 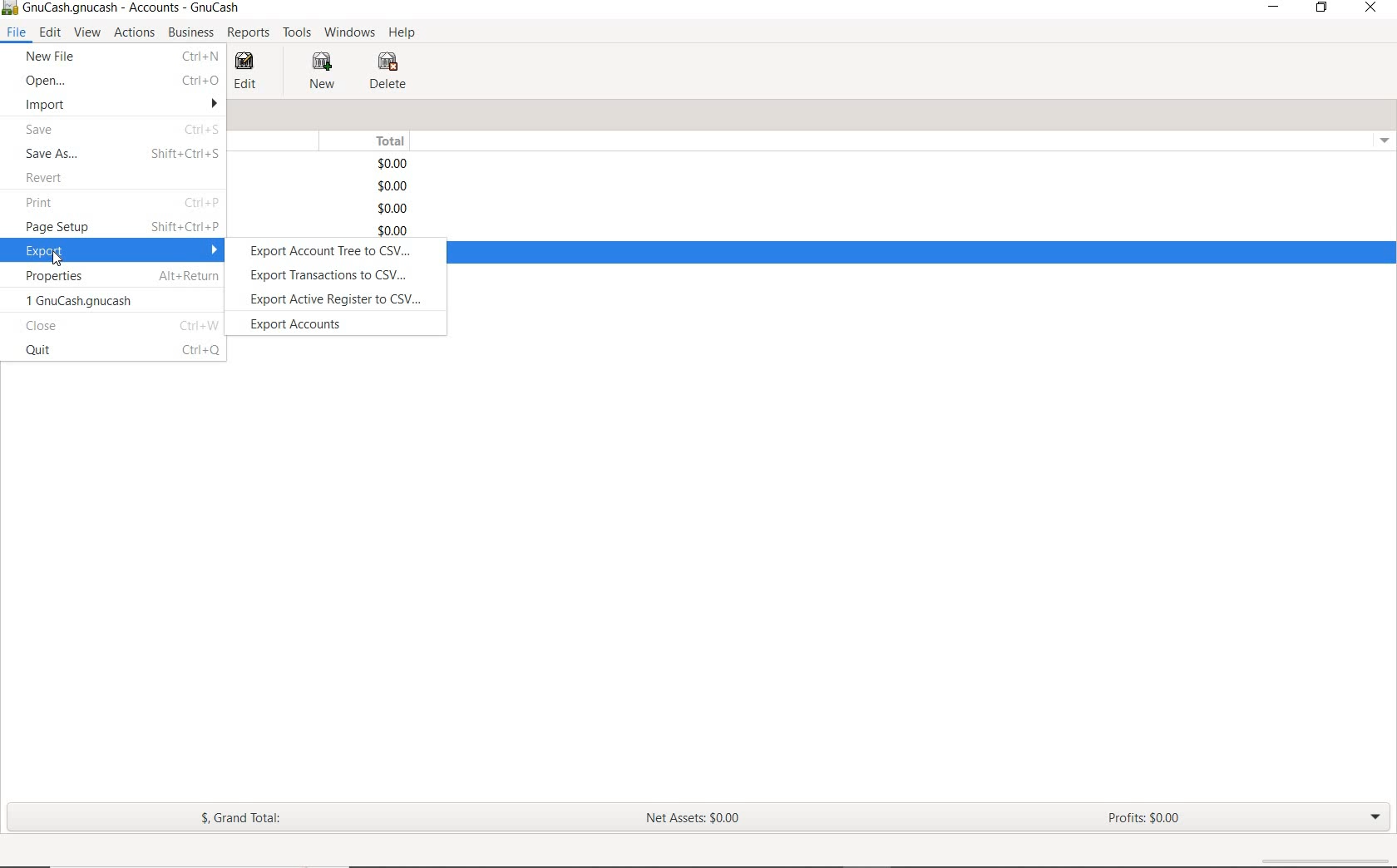 I want to click on DELETE, so click(x=388, y=73).